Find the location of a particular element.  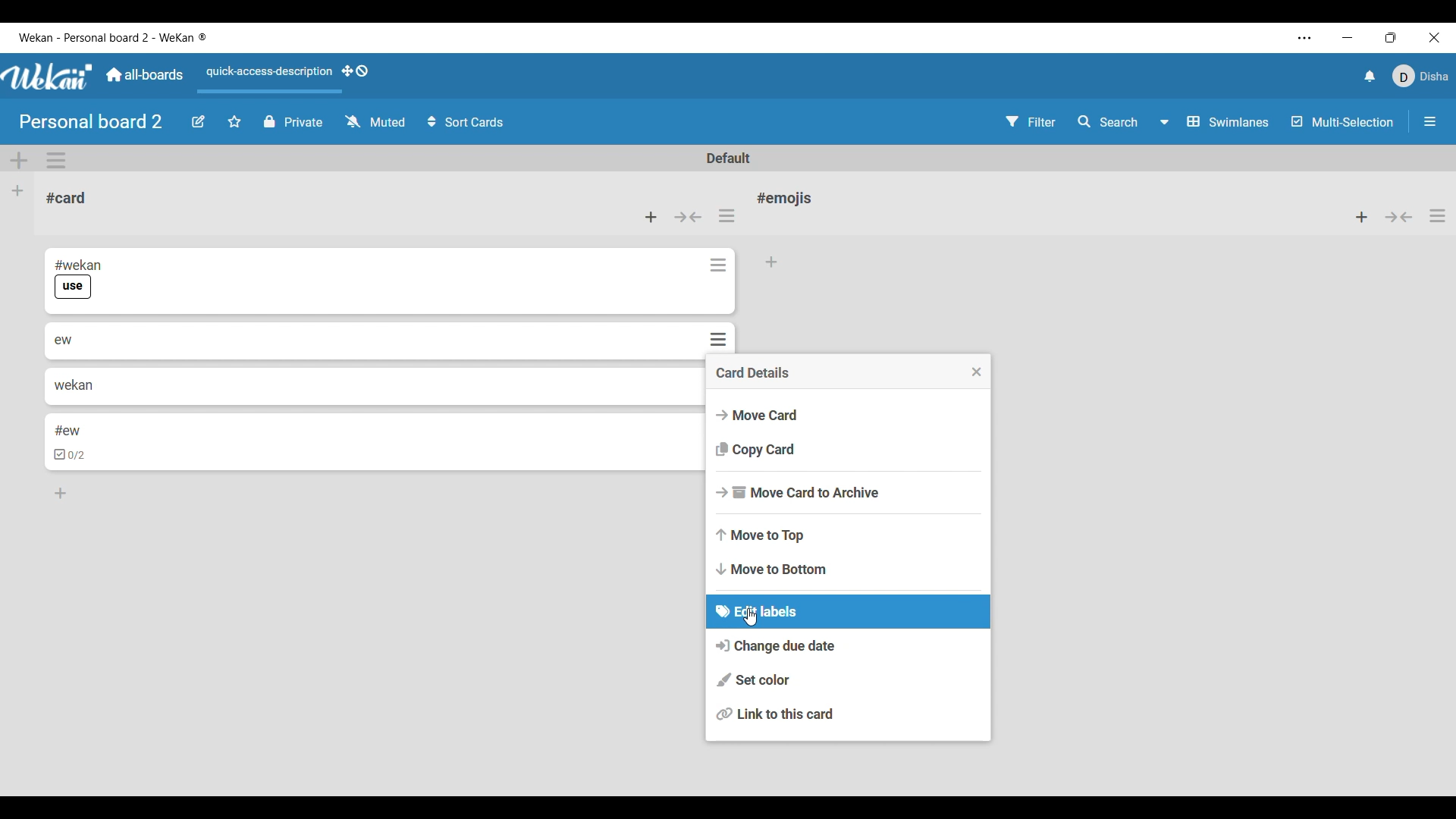

Card actions for respective card is located at coordinates (718, 340).